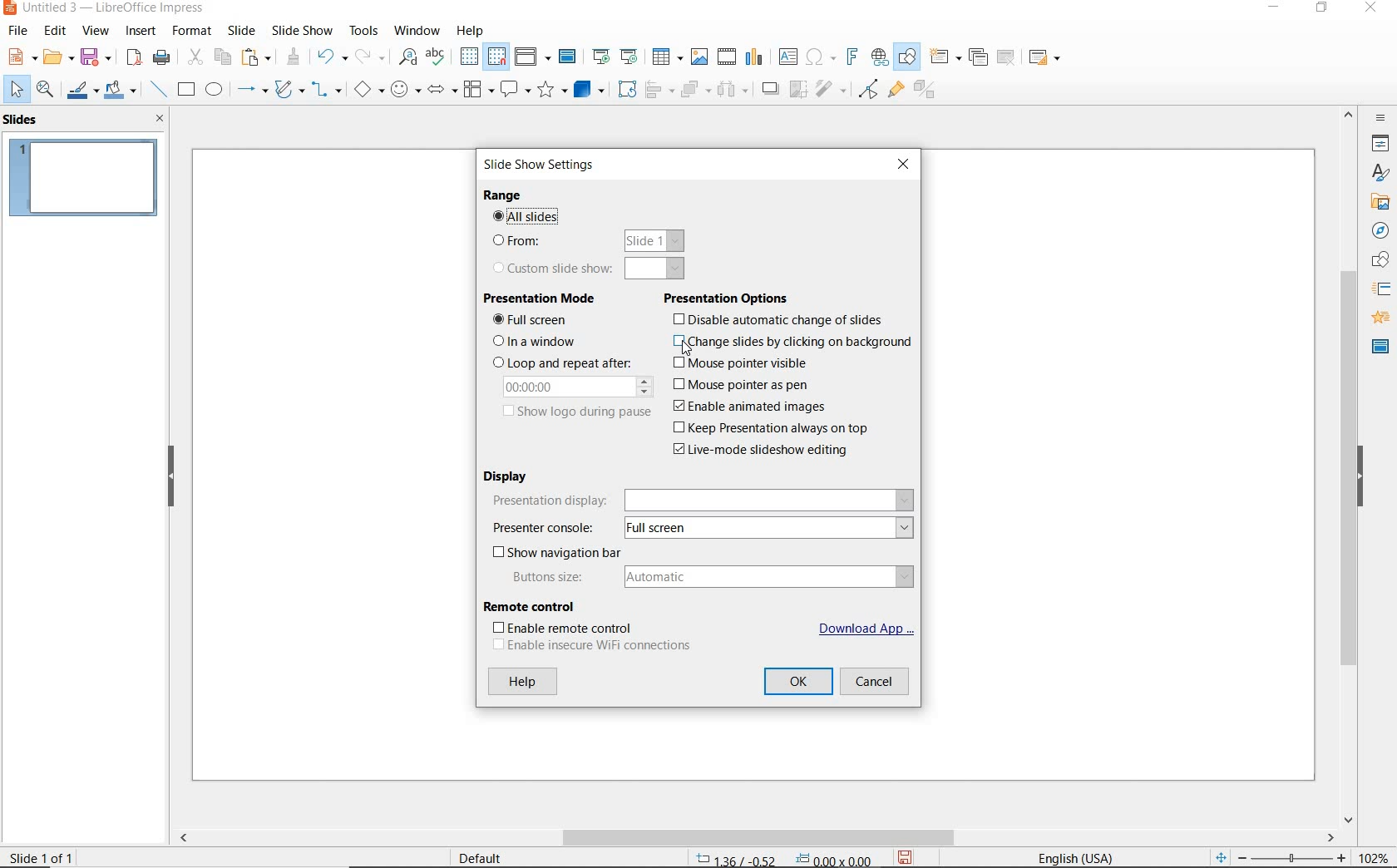 The width and height of the screenshot is (1397, 868). I want to click on FILE, so click(15, 31).